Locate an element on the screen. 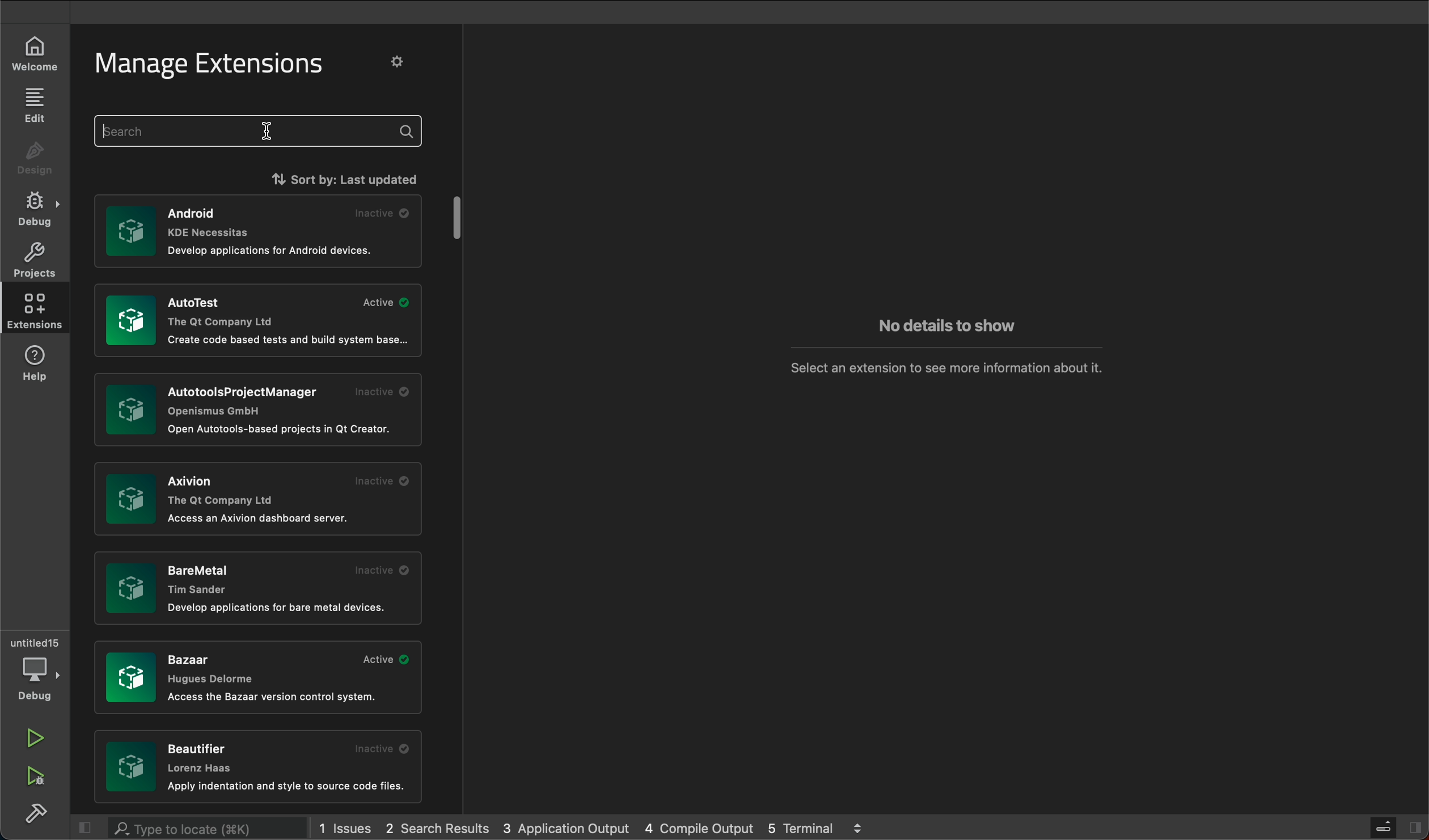 The width and height of the screenshot is (1429, 840). extension text is located at coordinates (276, 697).